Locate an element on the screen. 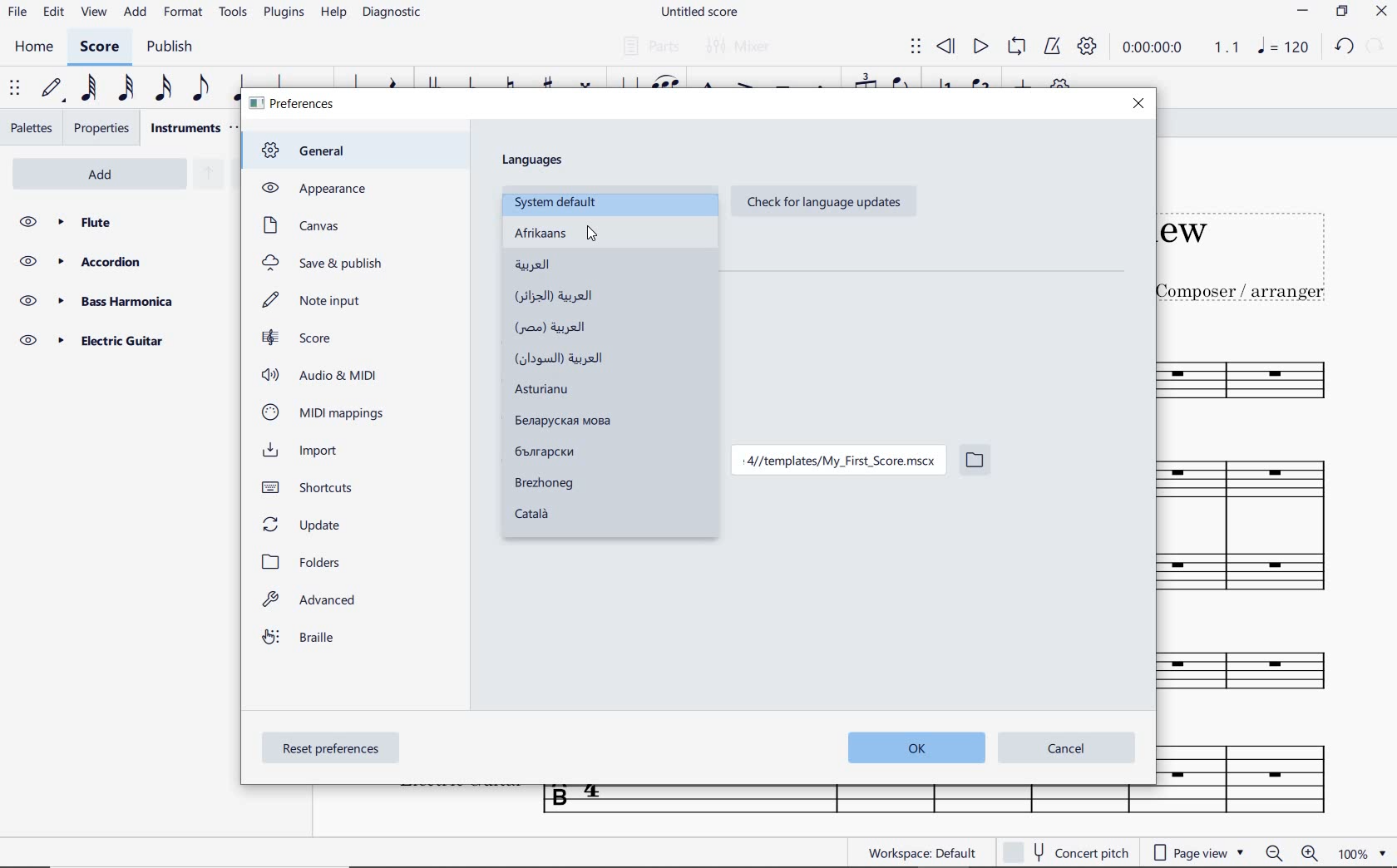 The height and width of the screenshot is (868, 1397). mixer is located at coordinates (741, 48).